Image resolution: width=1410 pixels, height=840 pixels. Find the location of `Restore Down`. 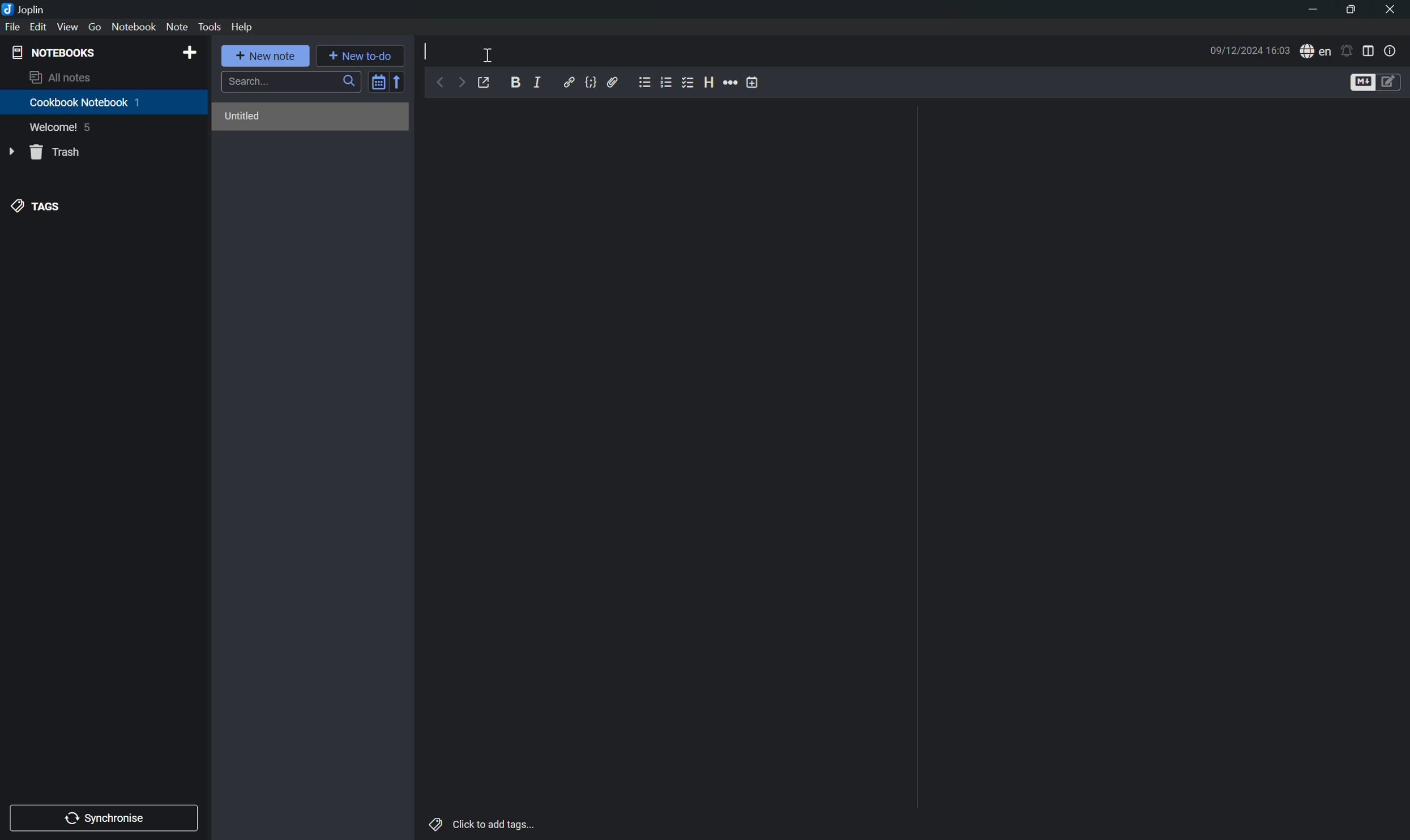

Restore Down is located at coordinates (1349, 12).